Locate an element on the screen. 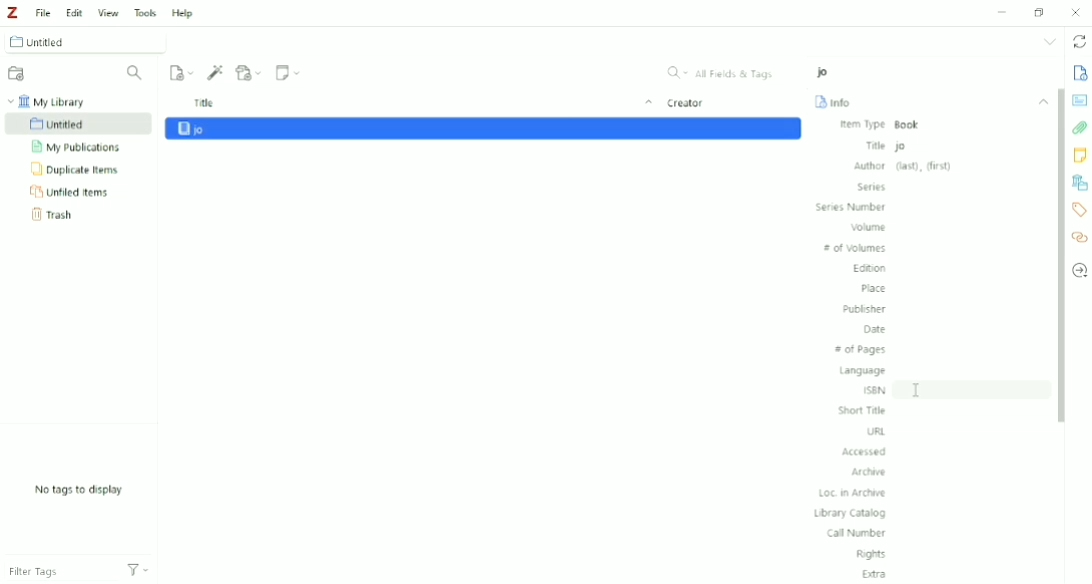 Image resolution: width=1092 pixels, height=584 pixels. Add Attachment is located at coordinates (250, 72).